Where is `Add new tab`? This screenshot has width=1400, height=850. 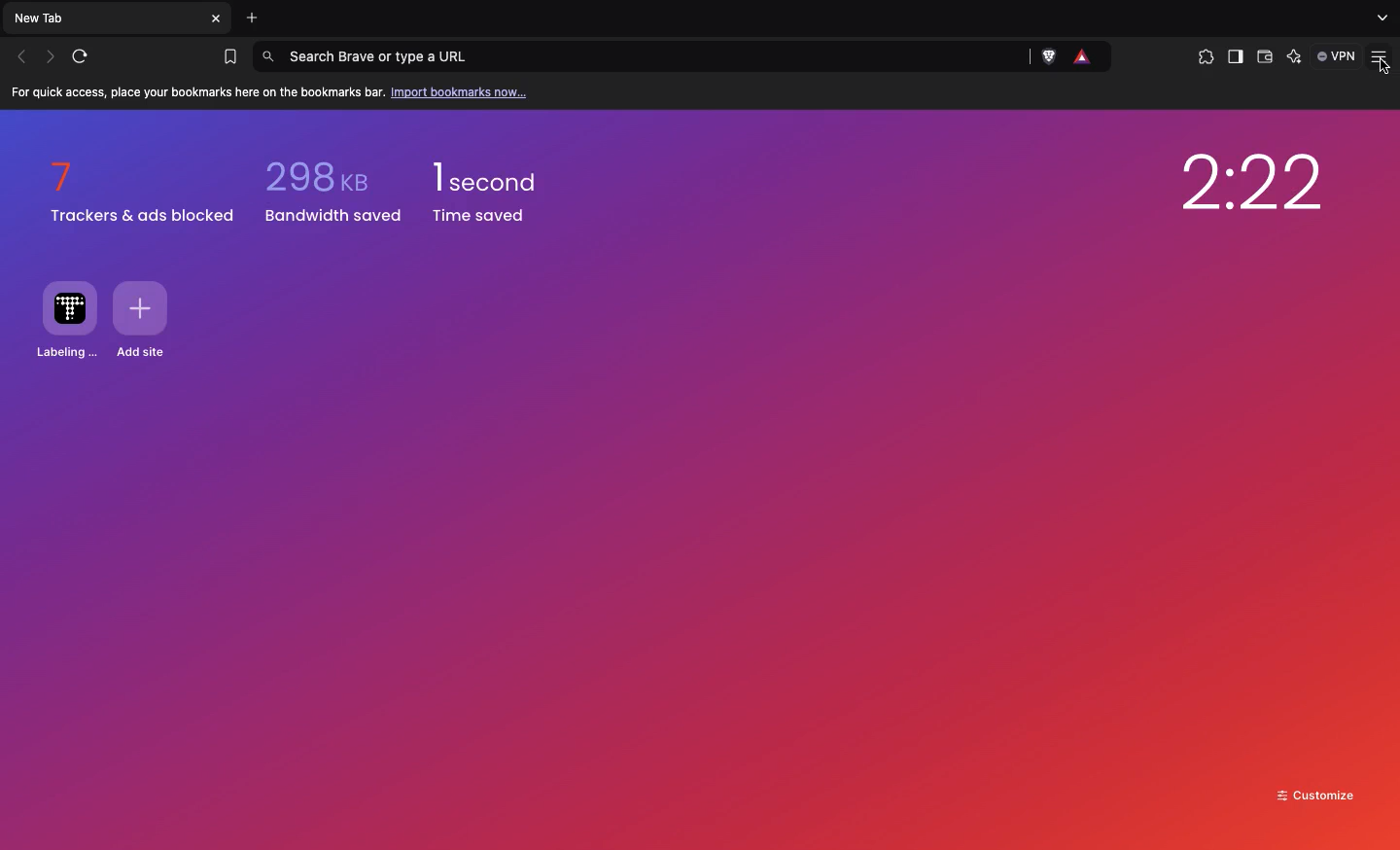 Add new tab is located at coordinates (253, 18).